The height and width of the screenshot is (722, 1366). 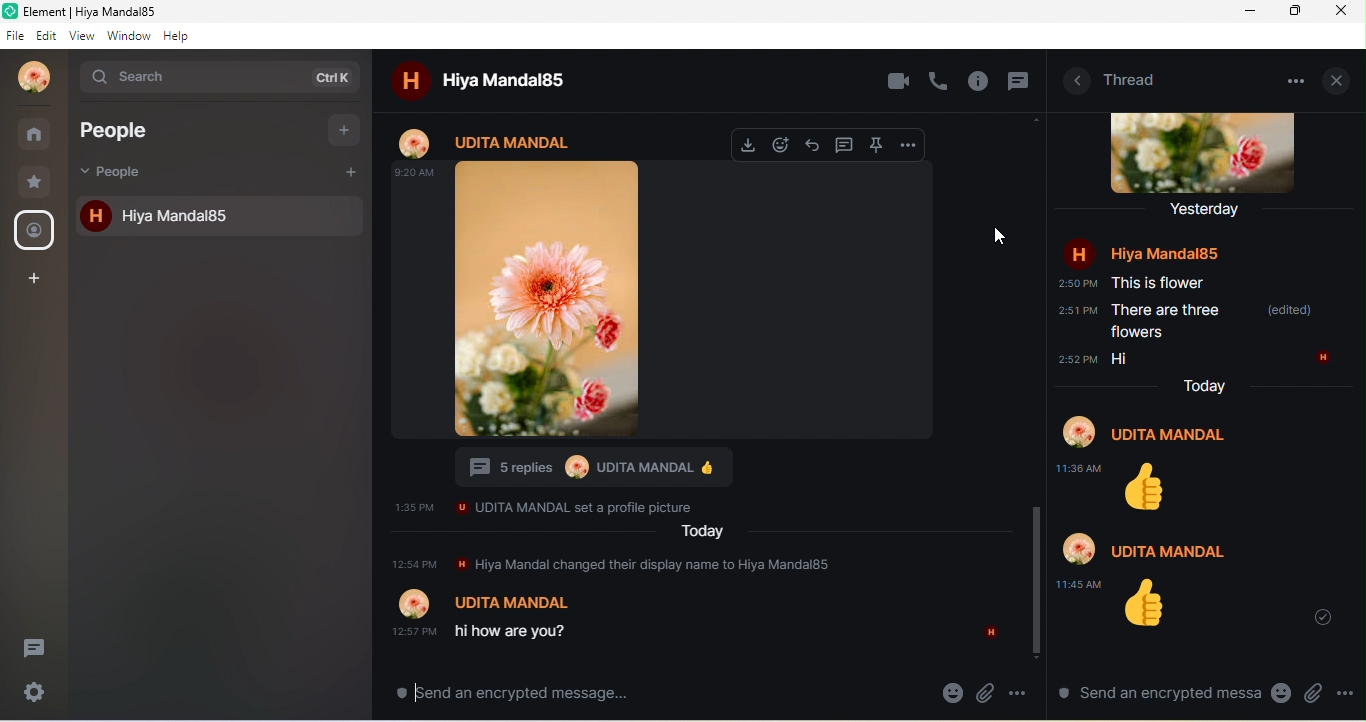 I want to click on voice call, so click(x=939, y=80).